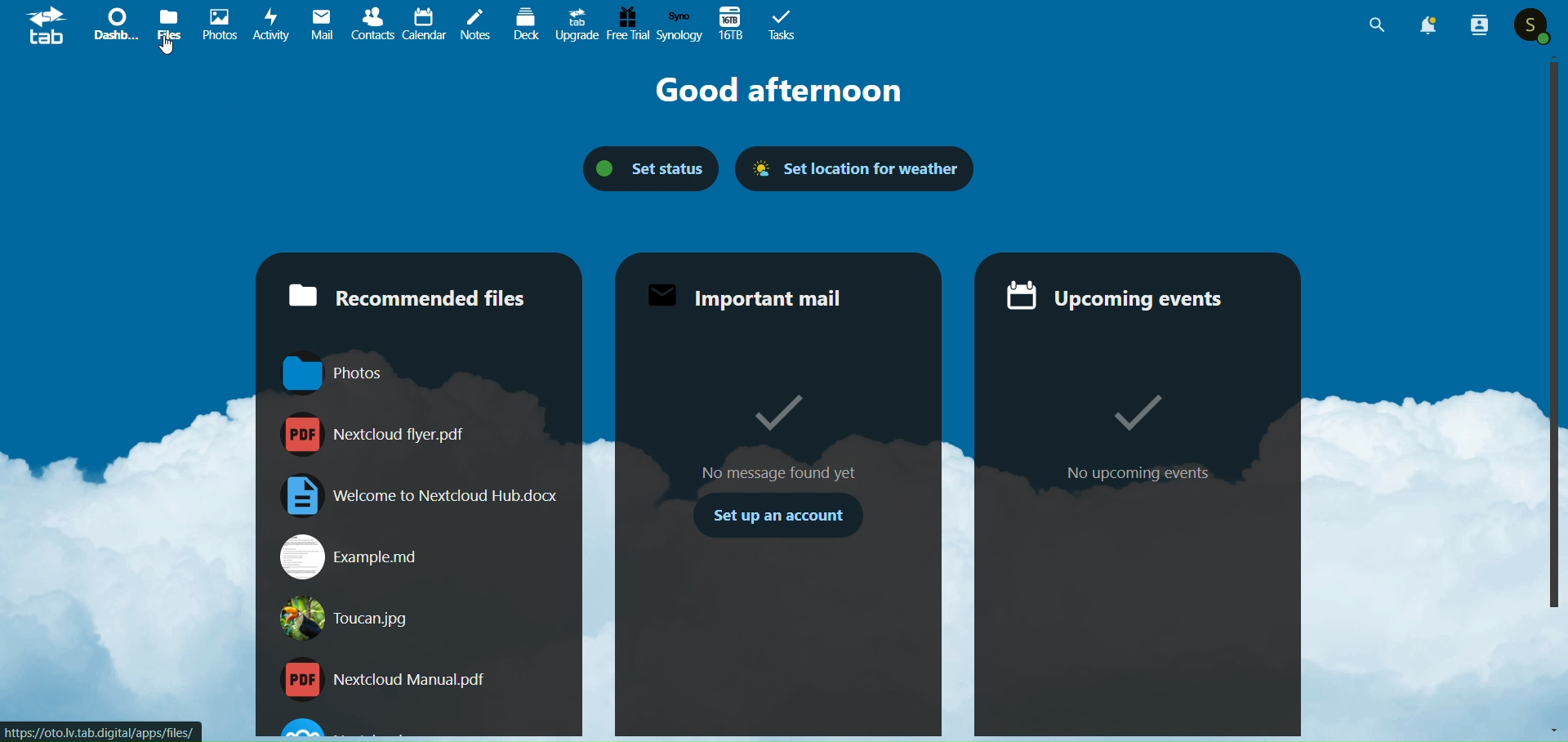 This screenshot has height=742, width=1568. Describe the element at coordinates (778, 92) in the screenshot. I see `good afternoon` at that location.